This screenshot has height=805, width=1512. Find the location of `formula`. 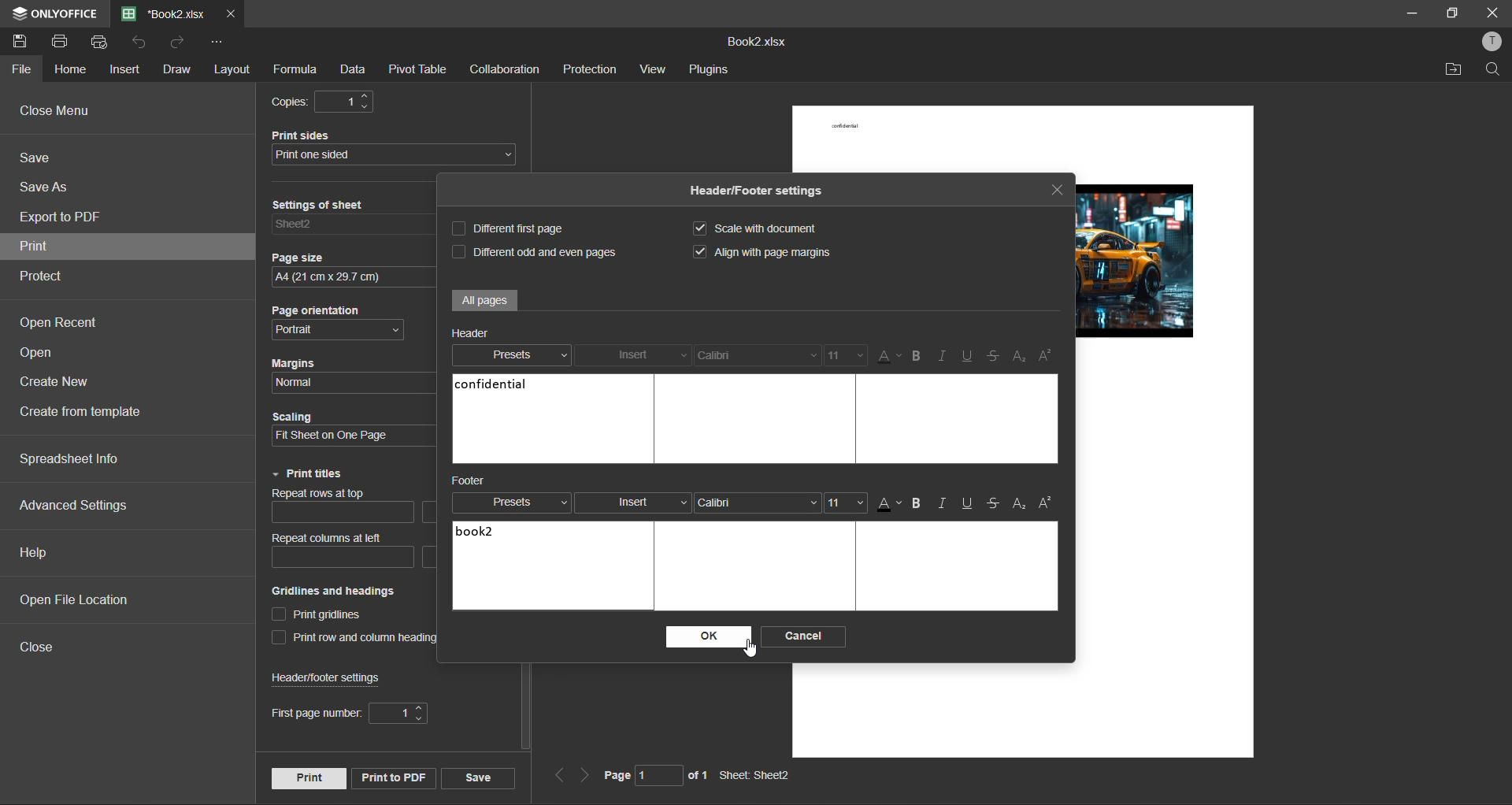

formula is located at coordinates (297, 69).